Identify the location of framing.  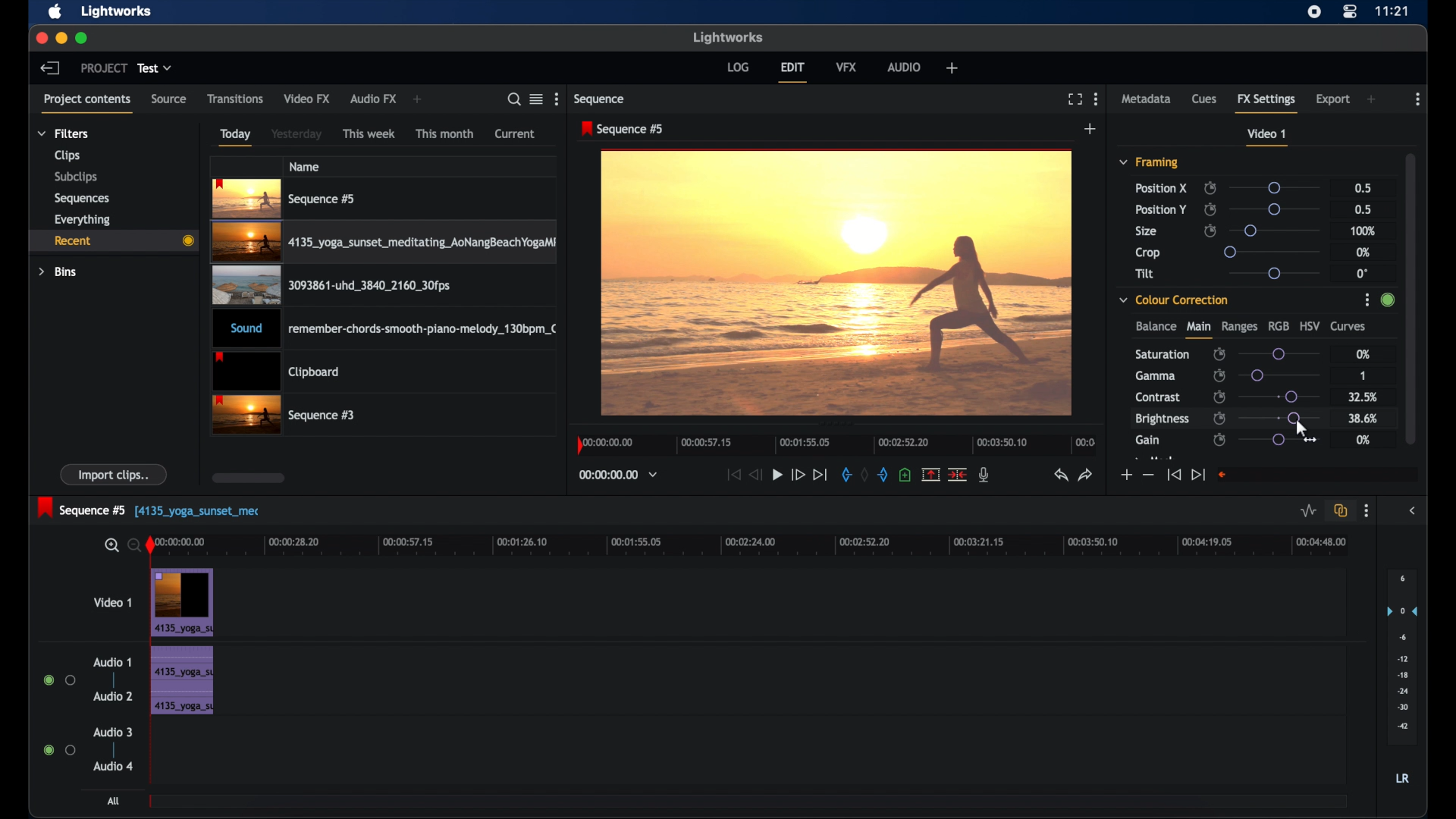
(1148, 162).